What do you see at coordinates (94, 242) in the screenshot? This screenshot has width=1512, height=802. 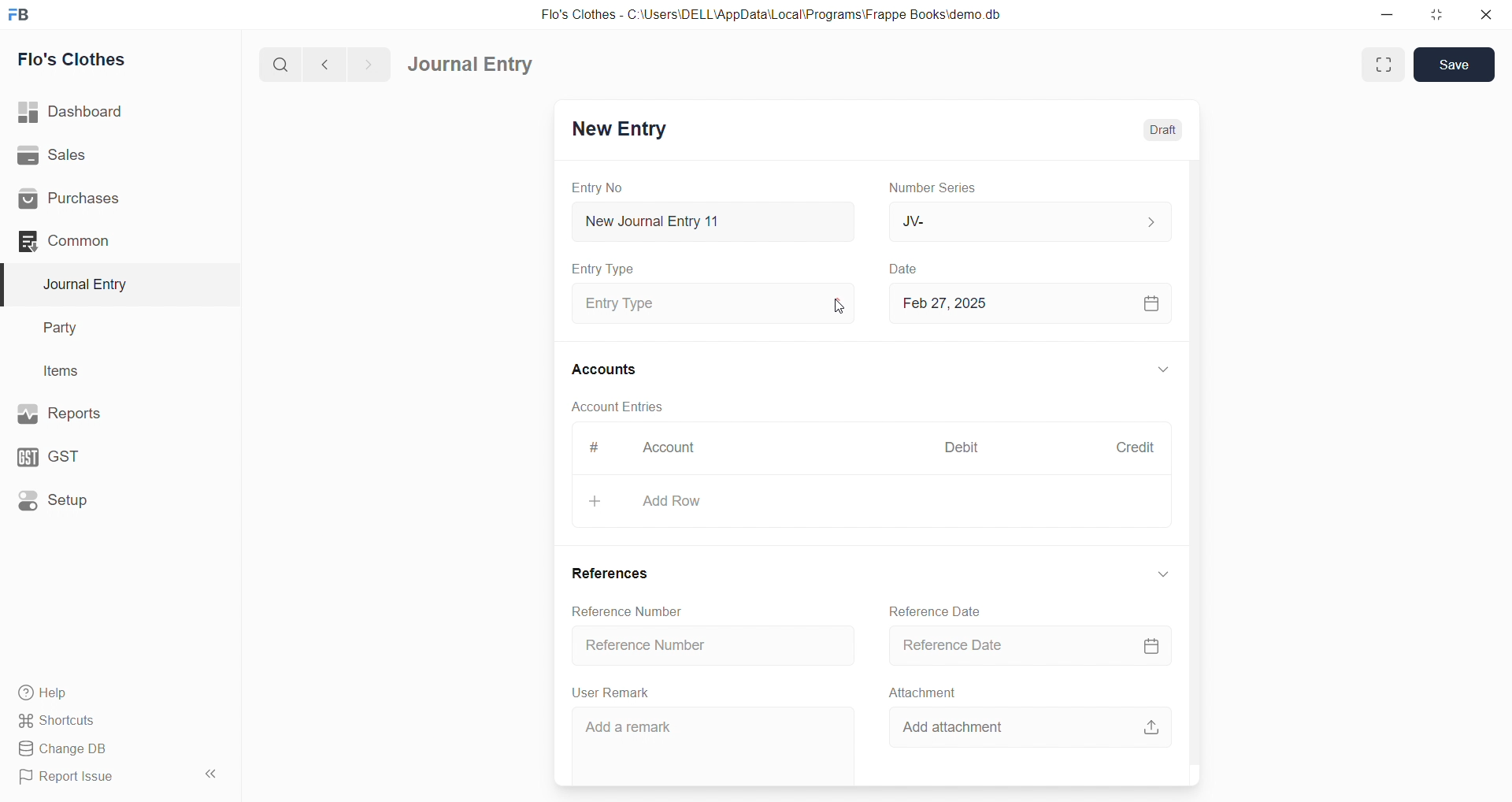 I see `Common` at bounding box center [94, 242].